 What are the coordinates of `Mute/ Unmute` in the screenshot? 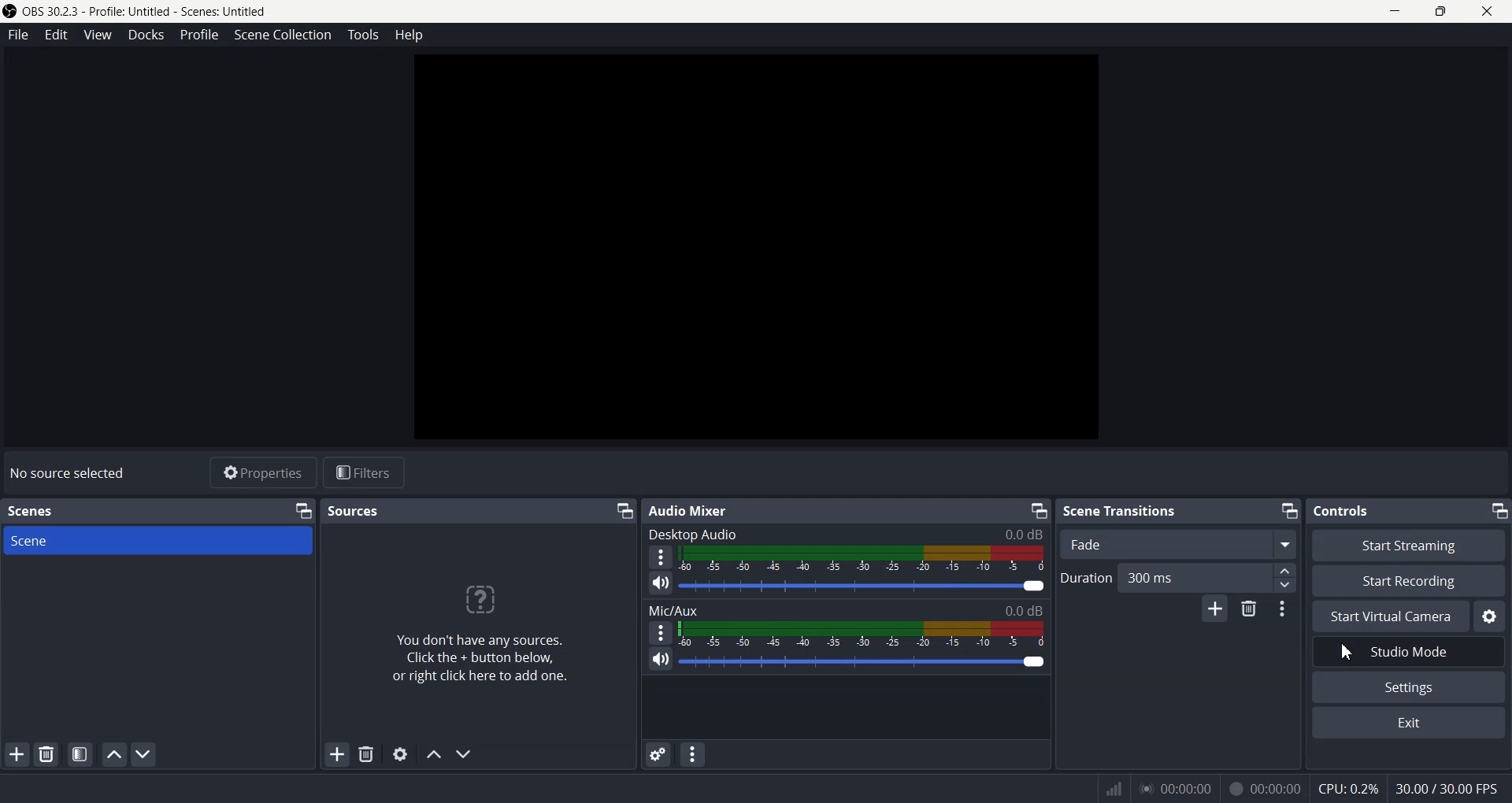 It's located at (662, 583).